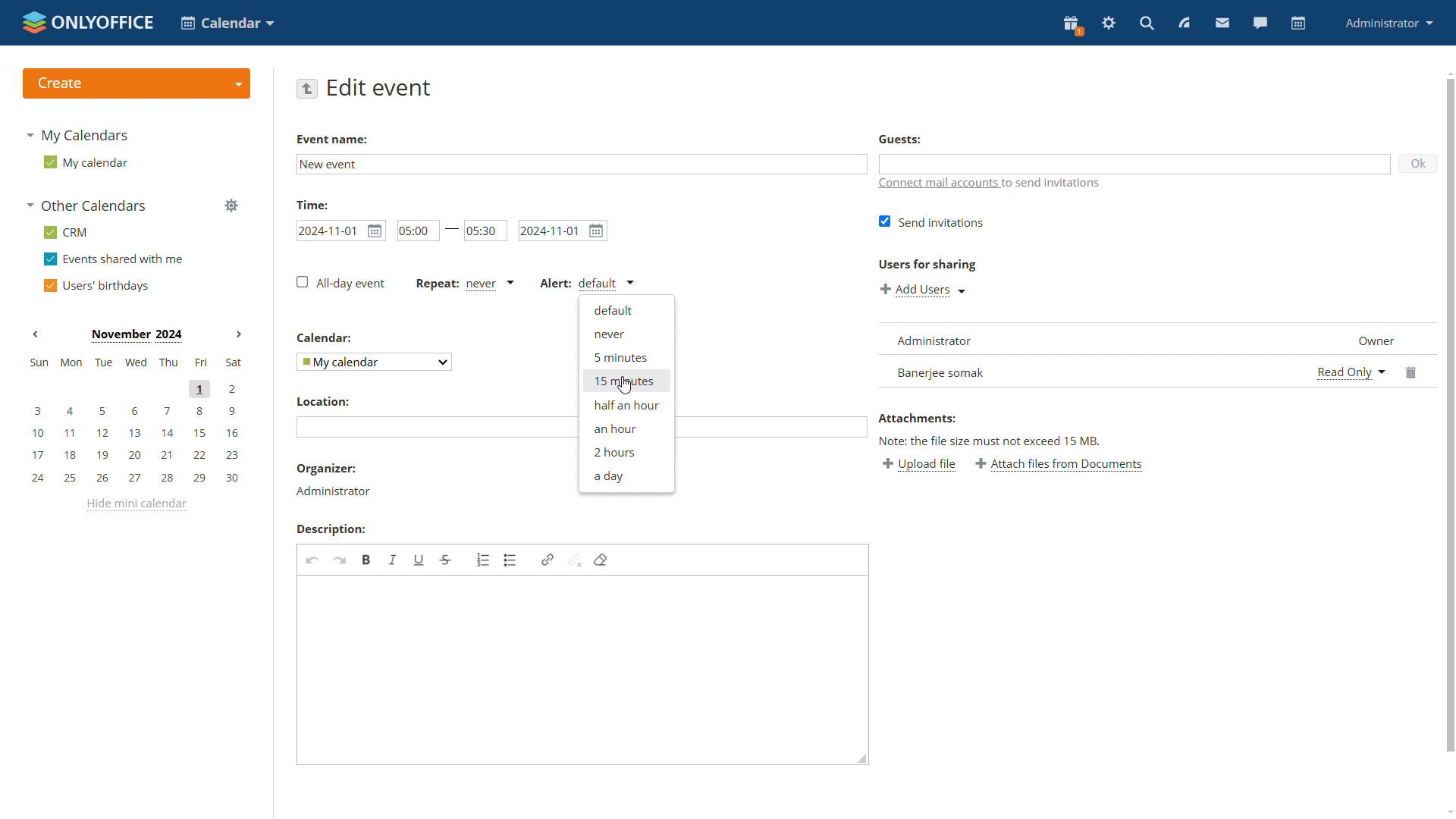 This screenshot has width=1456, height=819. Describe the element at coordinates (381, 88) in the screenshot. I see `edit event` at that location.